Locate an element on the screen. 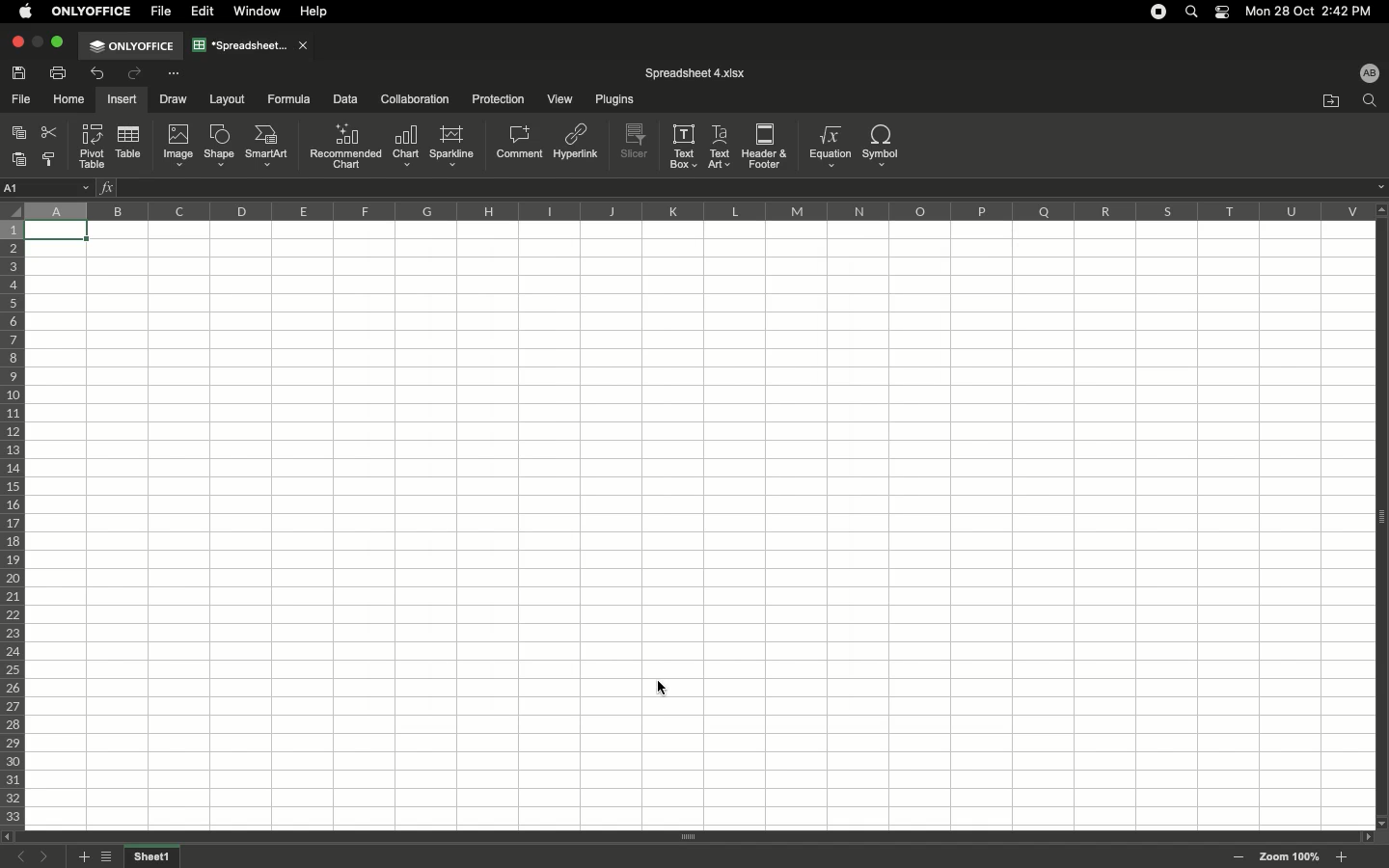  Redo is located at coordinates (133, 73).